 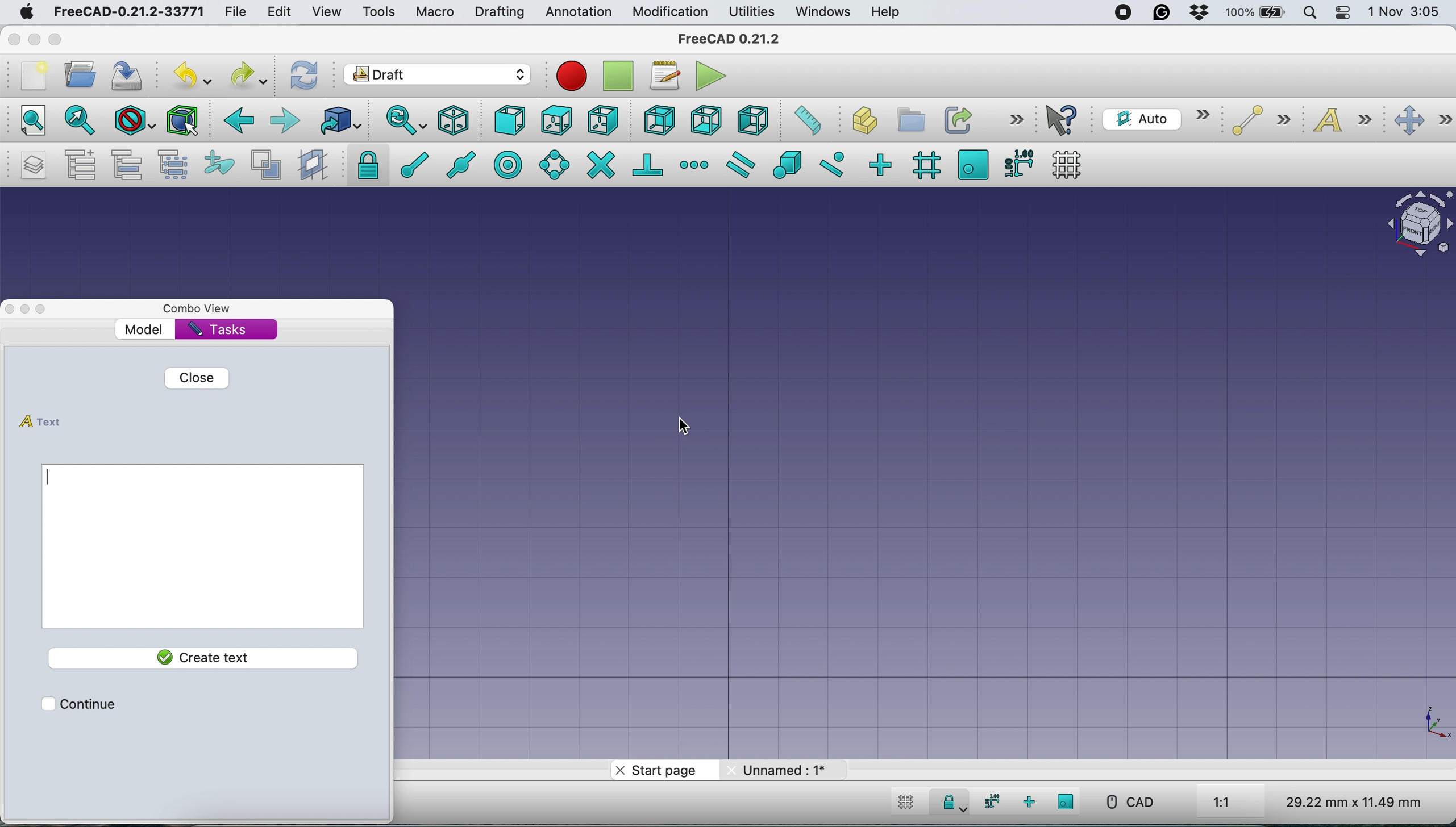 What do you see at coordinates (1017, 165) in the screenshot?
I see `snap dimensions` at bounding box center [1017, 165].